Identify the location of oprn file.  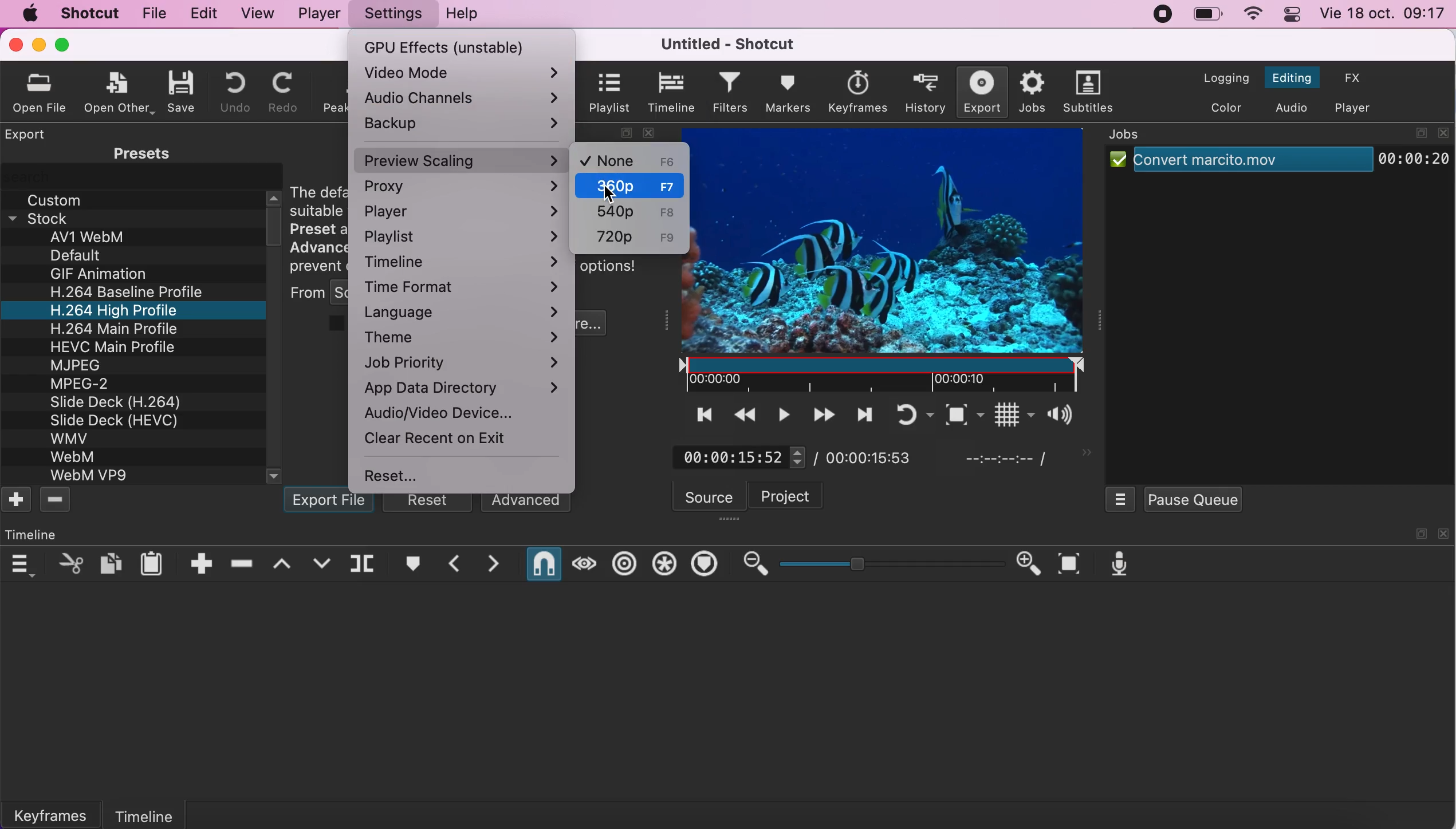
(45, 92).